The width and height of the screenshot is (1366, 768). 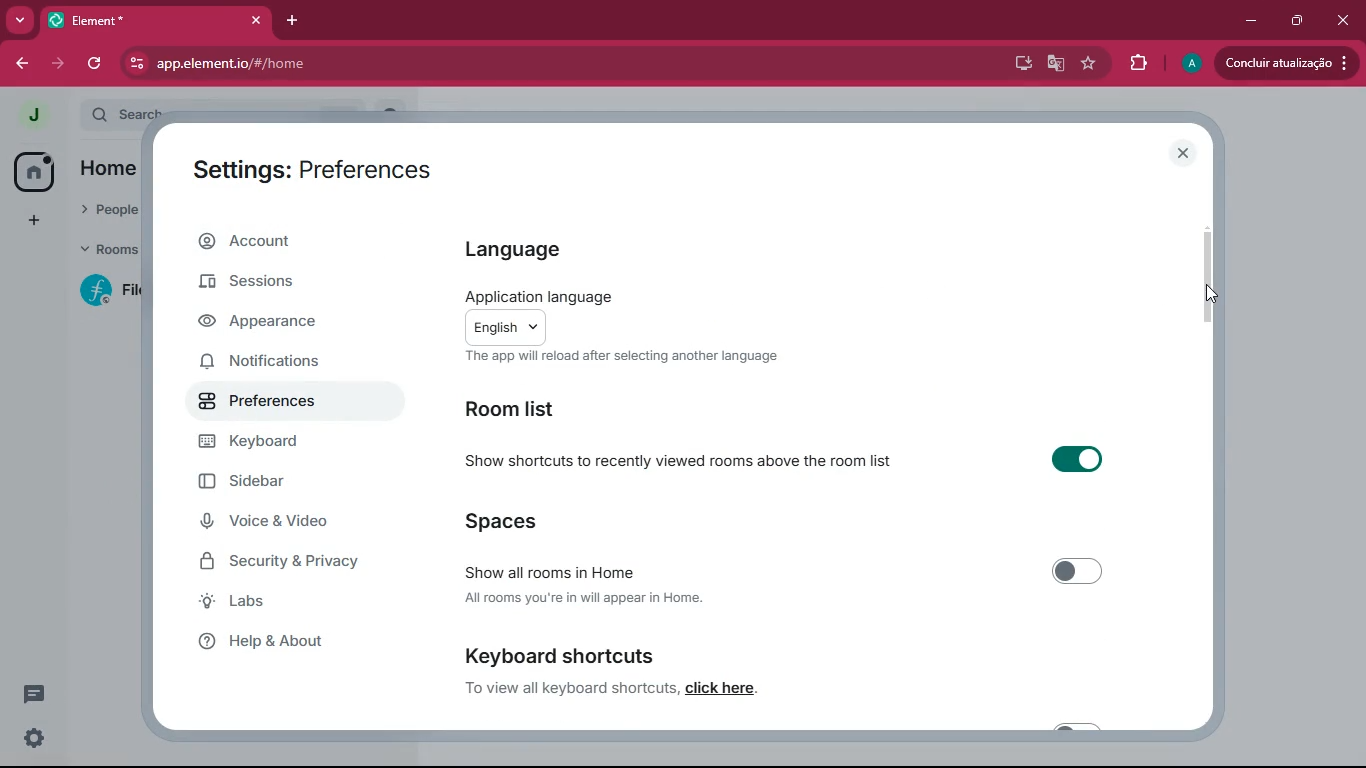 I want to click on labs, so click(x=288, y=606).